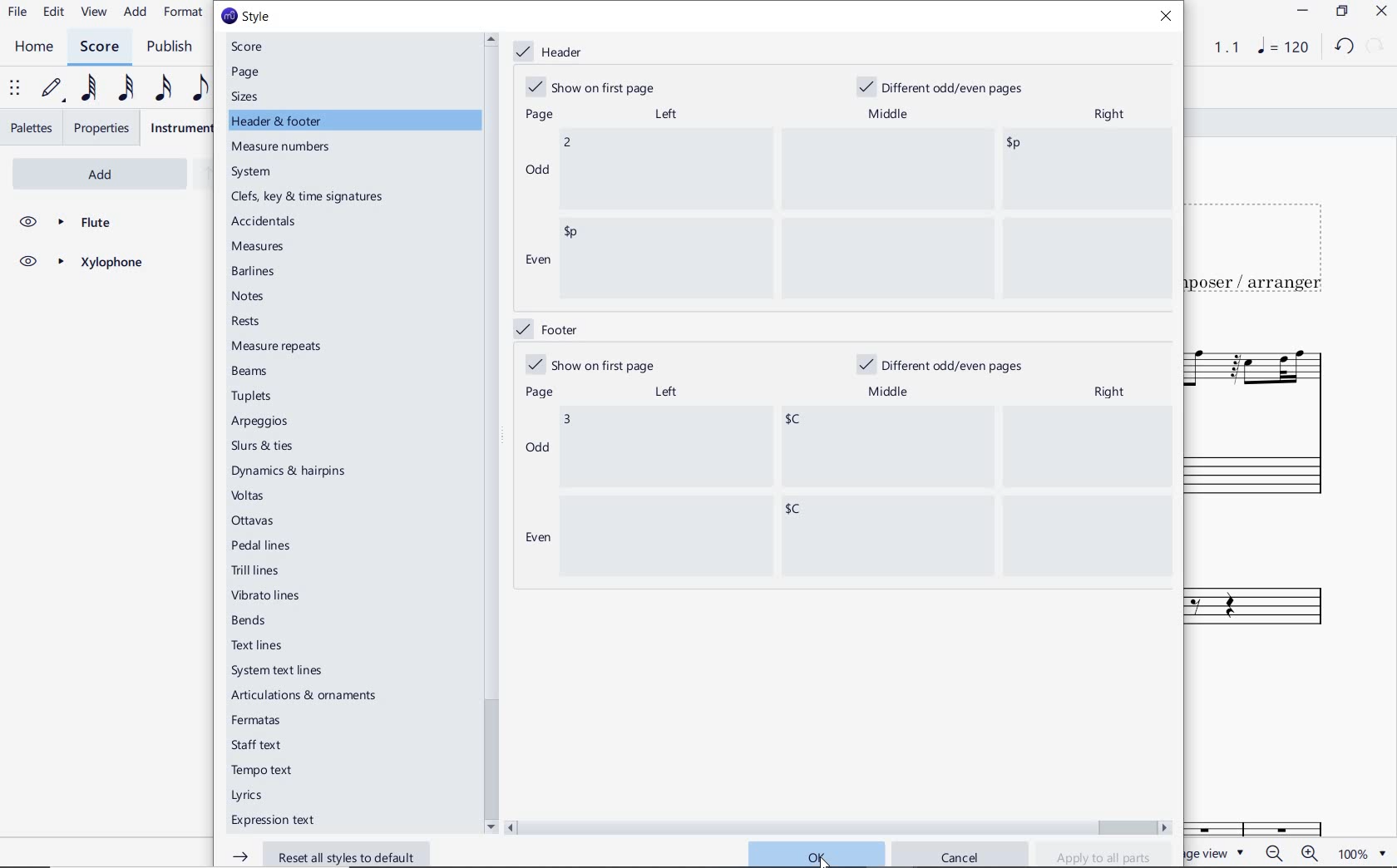 This screenshot has height=868, width=1397. Describe the element at coordinates (80, 264) in the screenshot. I see `XYLOPHONE` at that location.